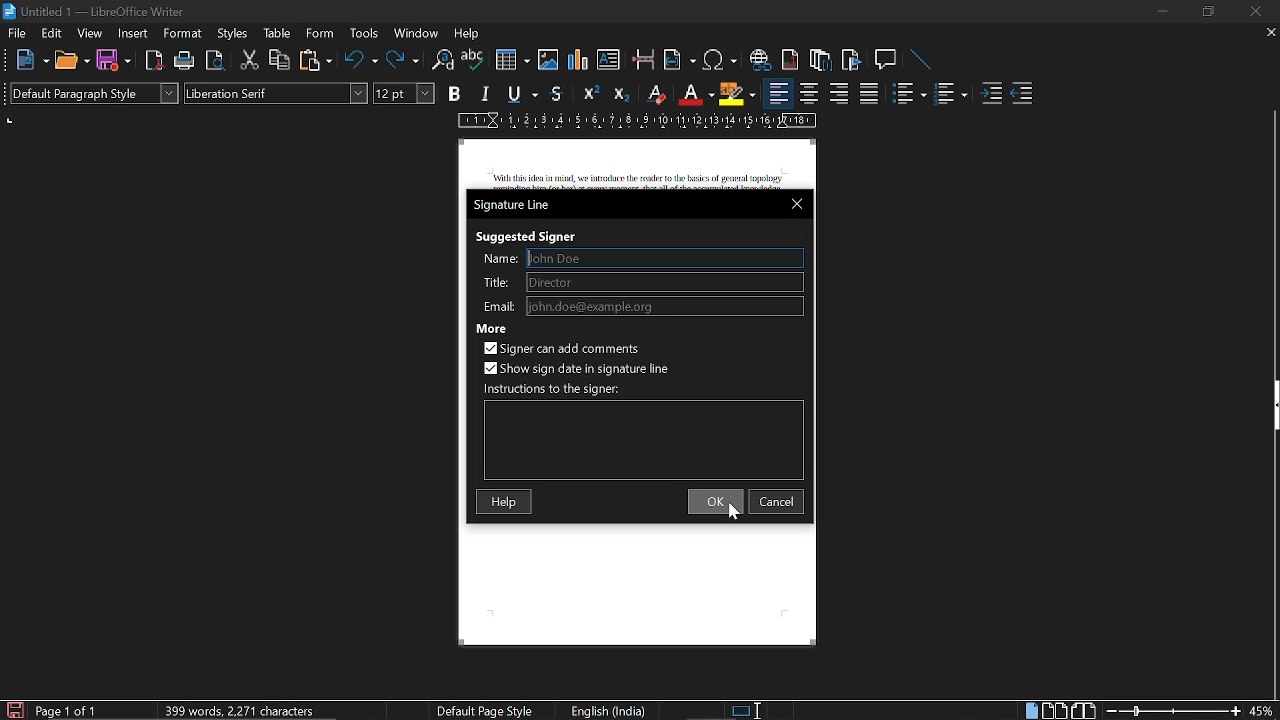 The height and width of the screenshot is (720, 1280). What do you see at coordinates (869, 94) in the screenshot?
I see `justified` at bounding box center [869, 94].